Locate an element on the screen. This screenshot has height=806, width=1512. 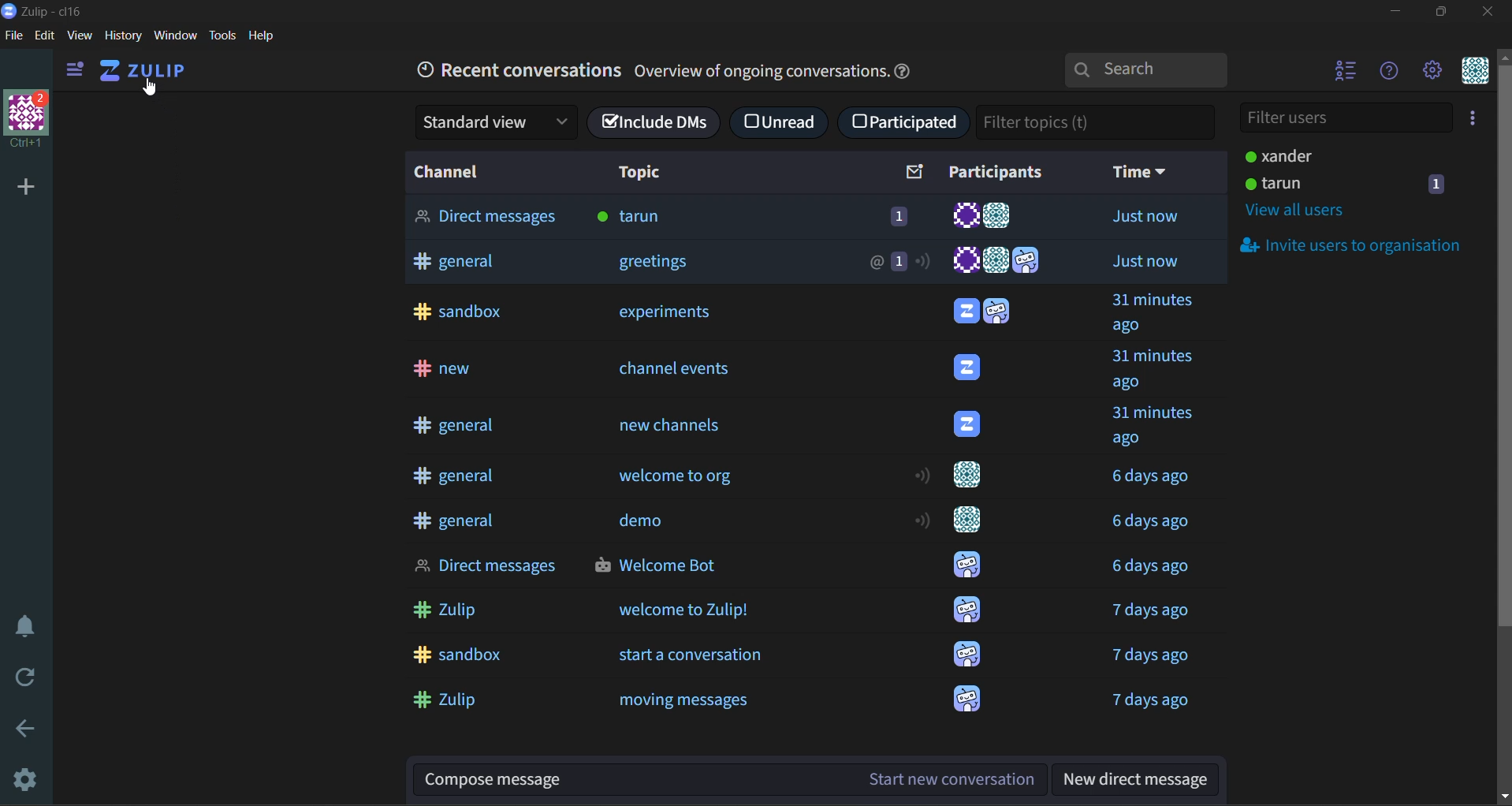
personal menu is located at coordinates (1474, 71).